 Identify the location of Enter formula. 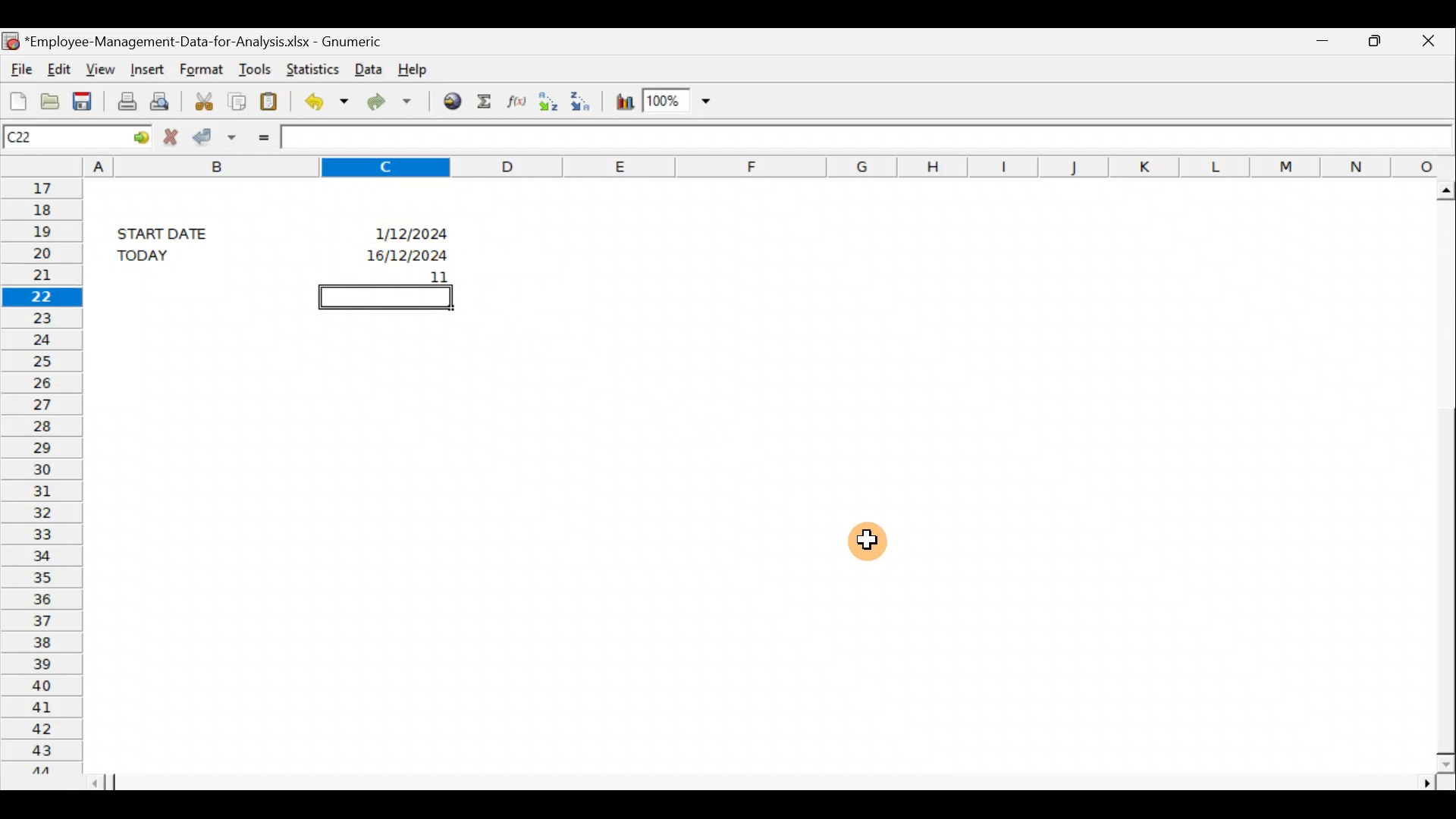
(260, 136).